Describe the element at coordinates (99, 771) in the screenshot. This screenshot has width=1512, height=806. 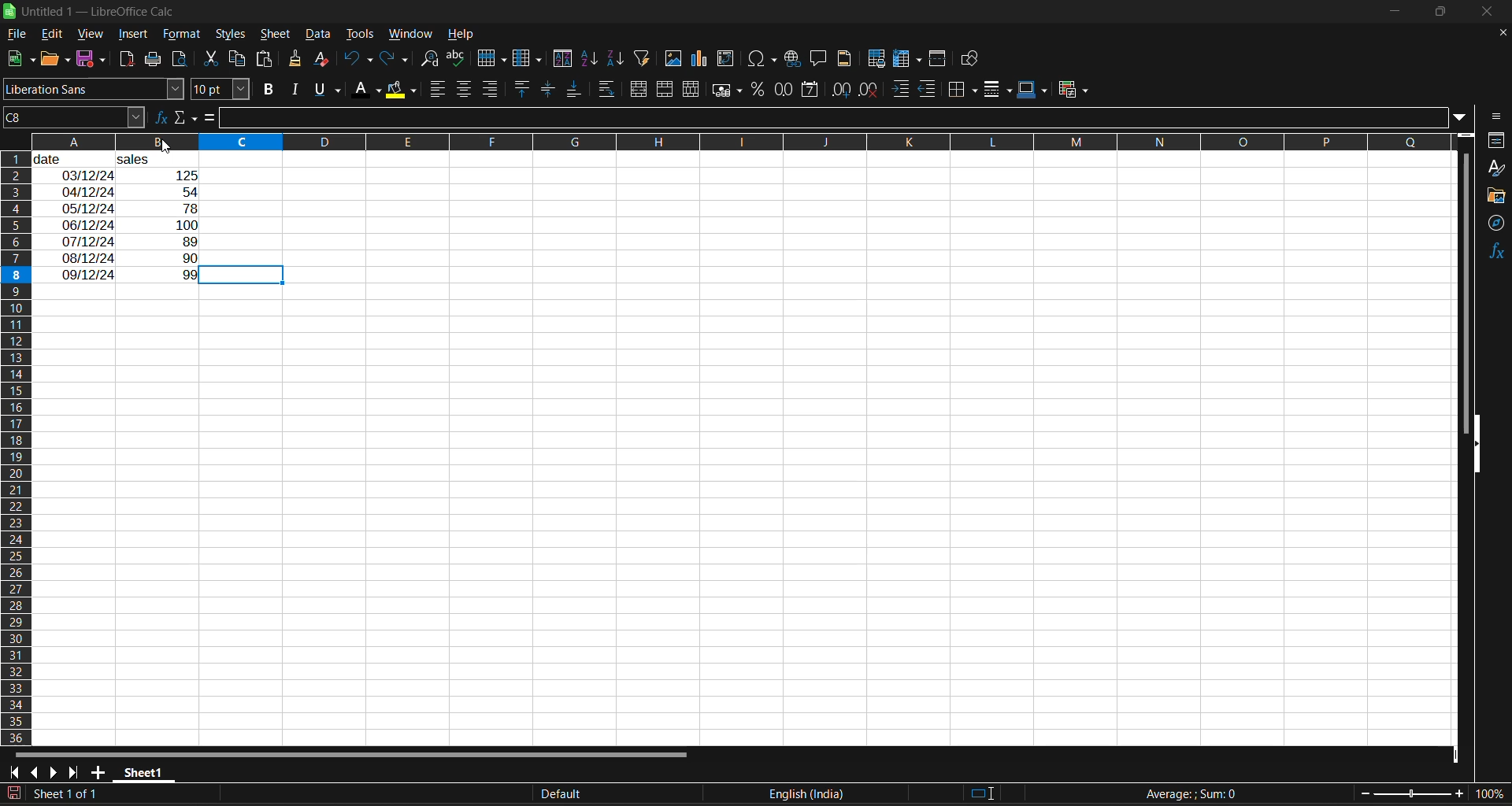
I see `add new sheet` at that location.